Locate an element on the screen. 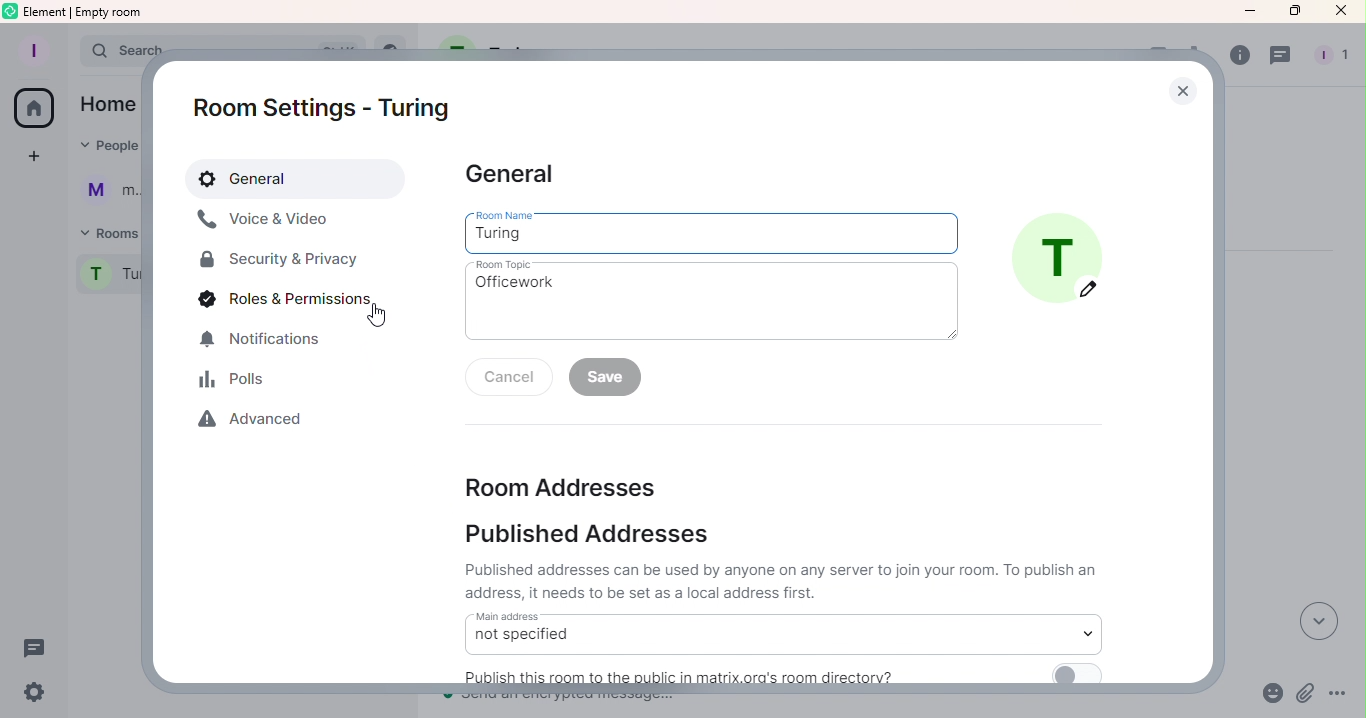 The height and width of the screenshot is (718, 1366). Publish addresses is located at coordinates (777, 559).